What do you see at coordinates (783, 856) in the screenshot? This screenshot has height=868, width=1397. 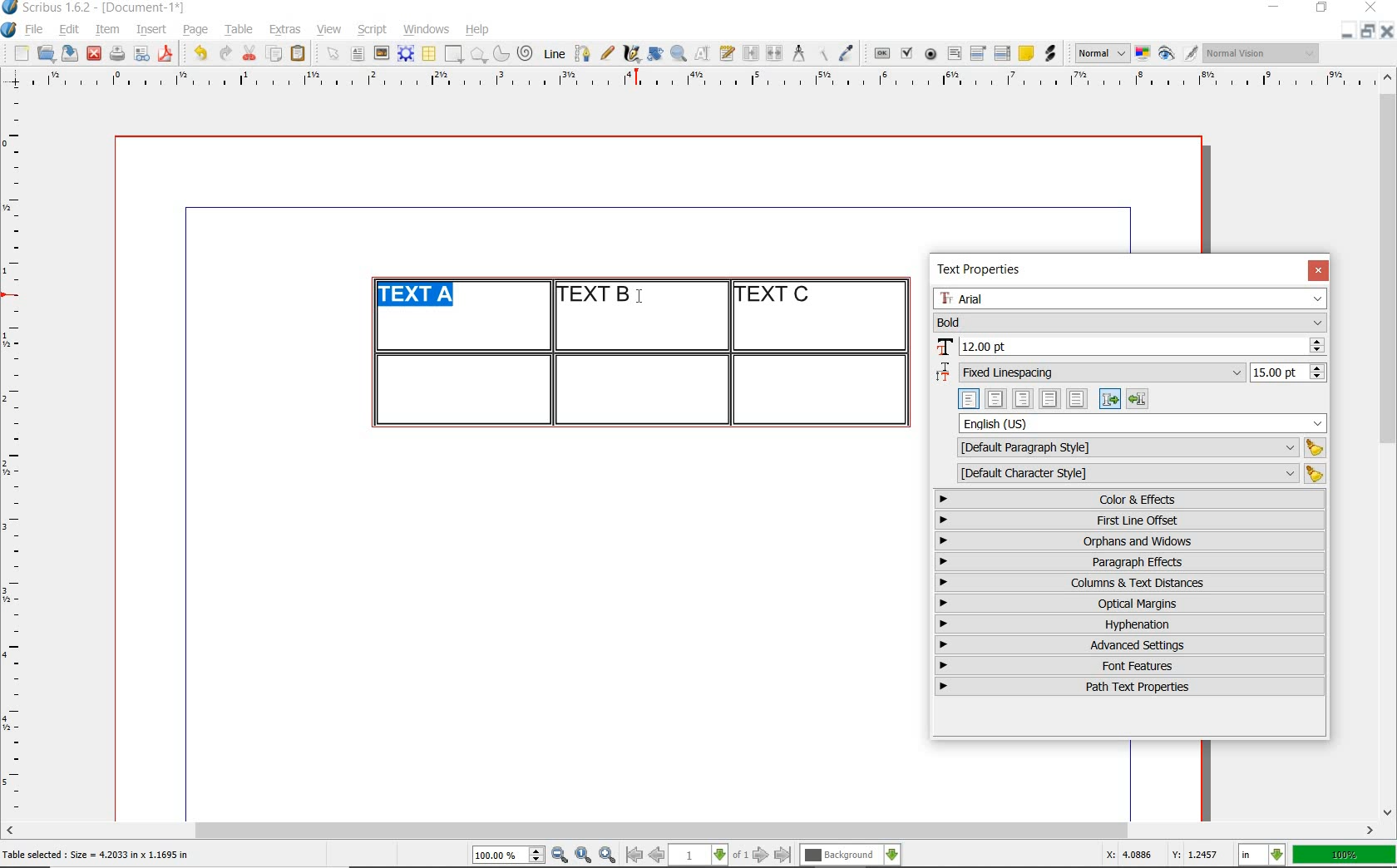 I see `go to last page` at bounding box center [783, 856].